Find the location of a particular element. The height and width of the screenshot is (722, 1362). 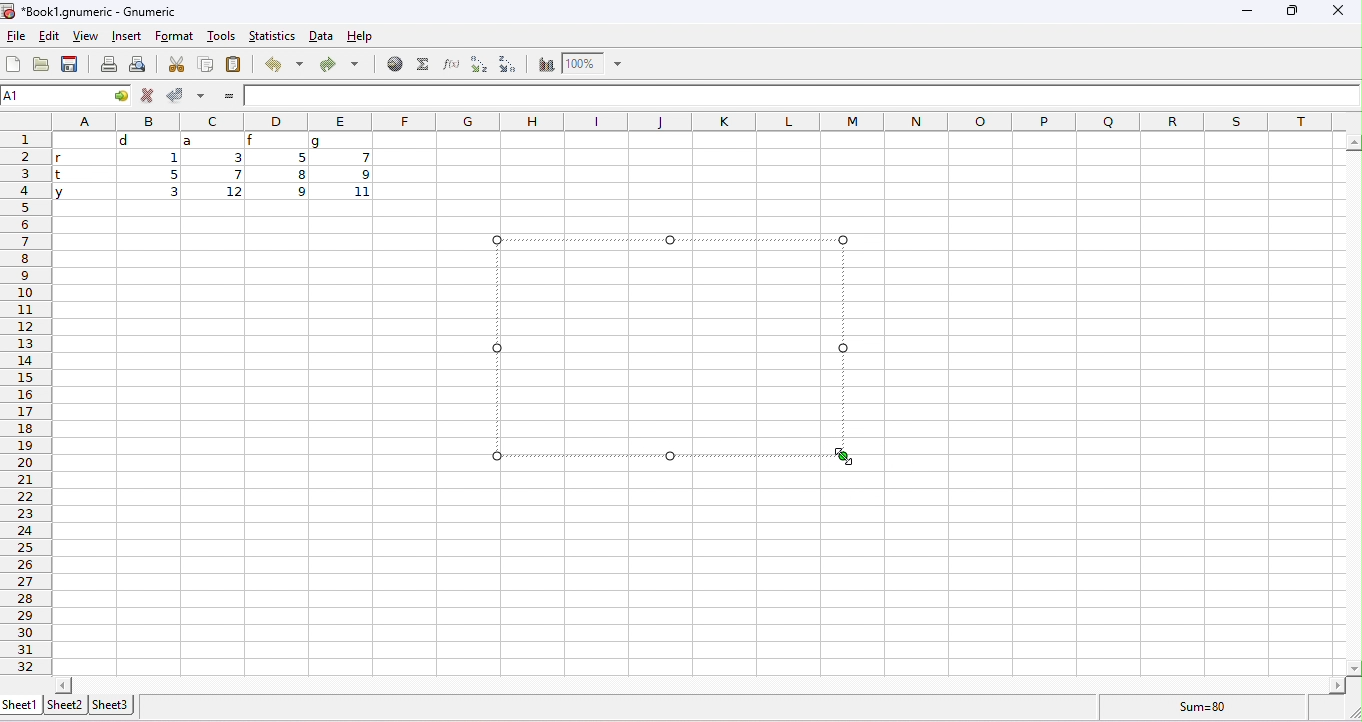

print is located at coordinates (108, 64).